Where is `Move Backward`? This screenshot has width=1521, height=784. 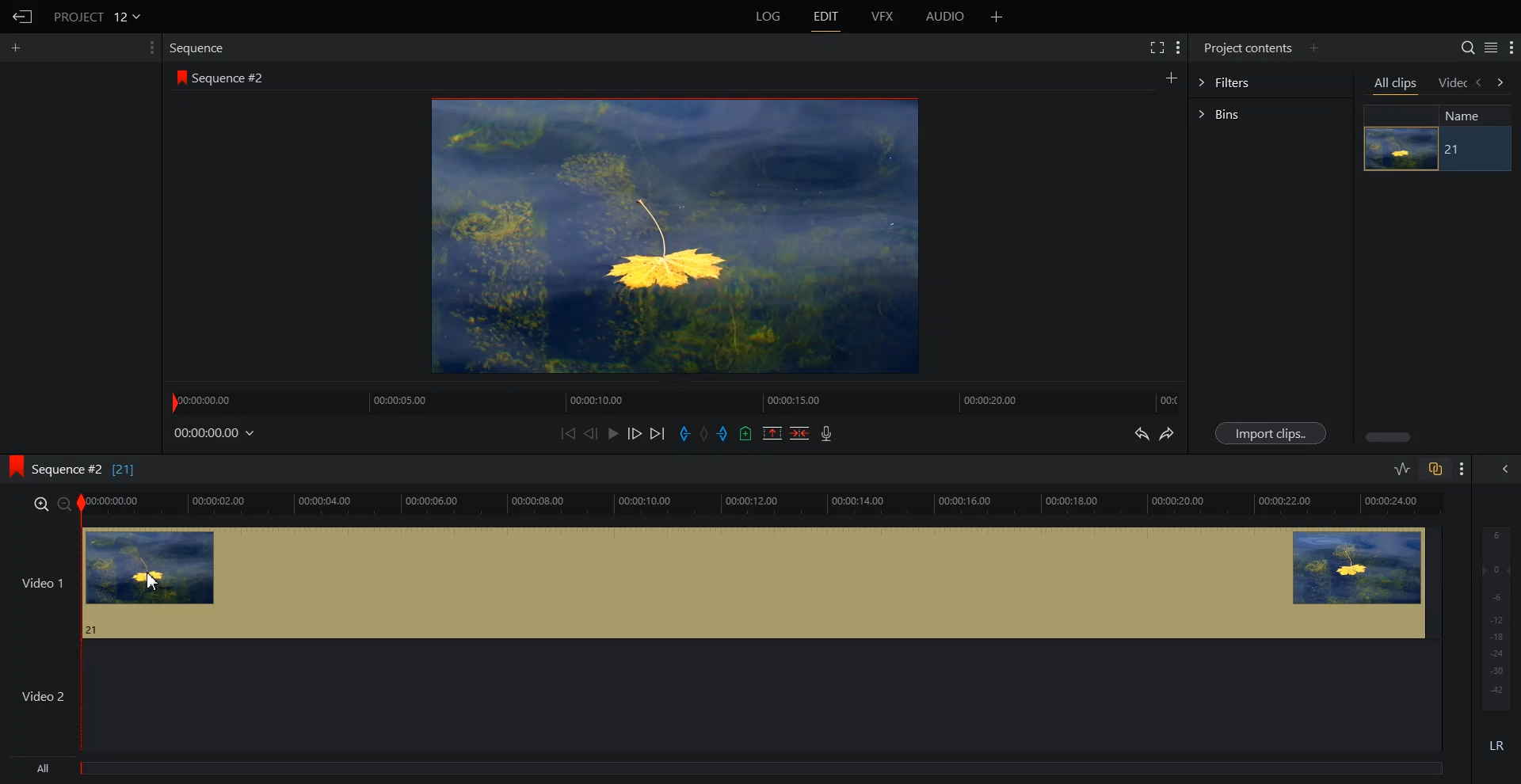
Move Backward is located at coordinates (568, 432).